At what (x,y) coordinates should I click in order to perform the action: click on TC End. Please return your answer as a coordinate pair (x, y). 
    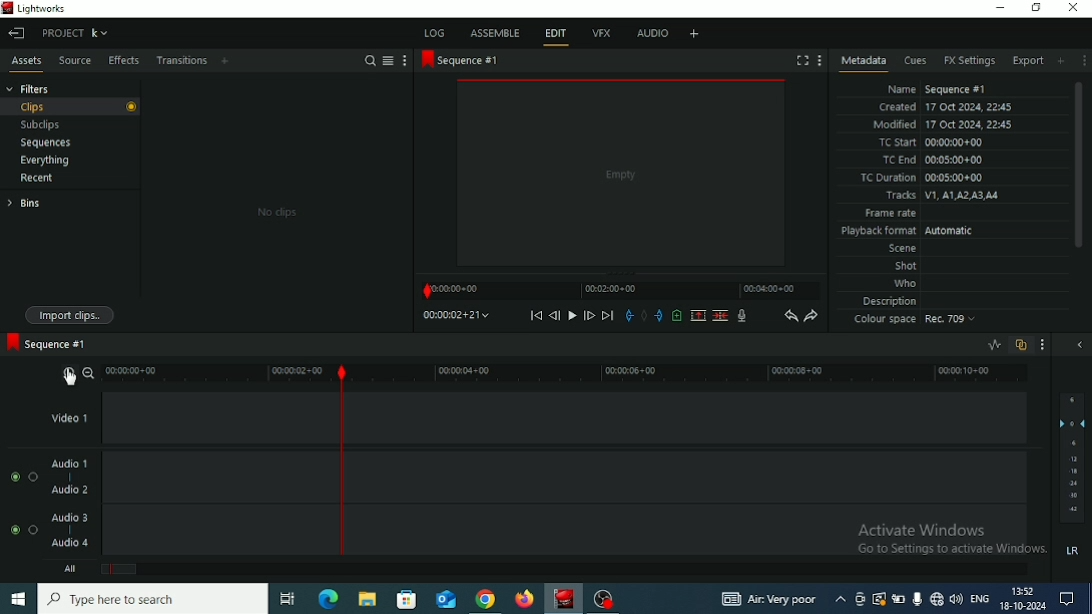
    Looking at the image, I should click on (934, 161).